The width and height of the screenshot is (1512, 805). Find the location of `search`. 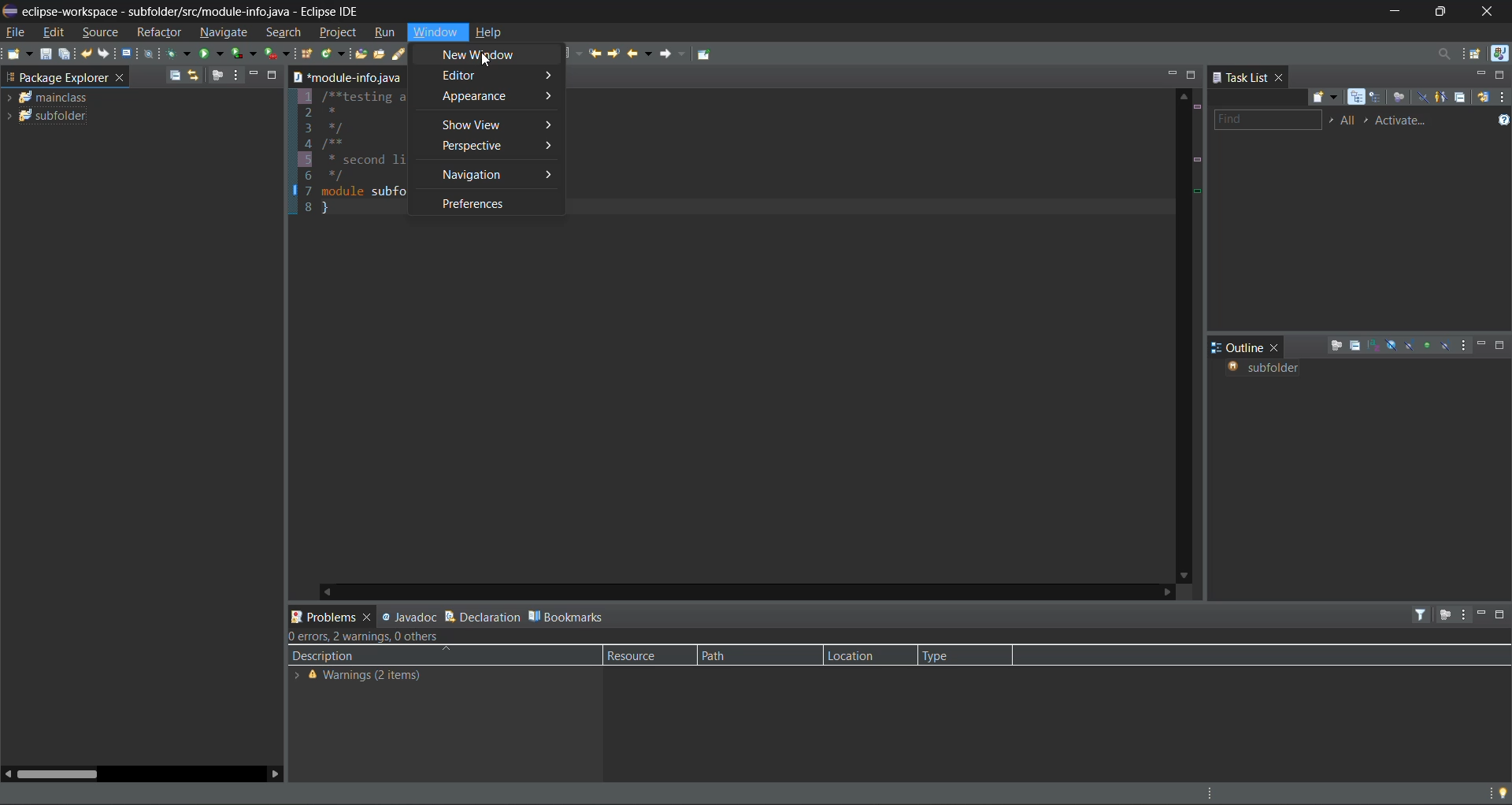

search is located at coordinates (283, 32).